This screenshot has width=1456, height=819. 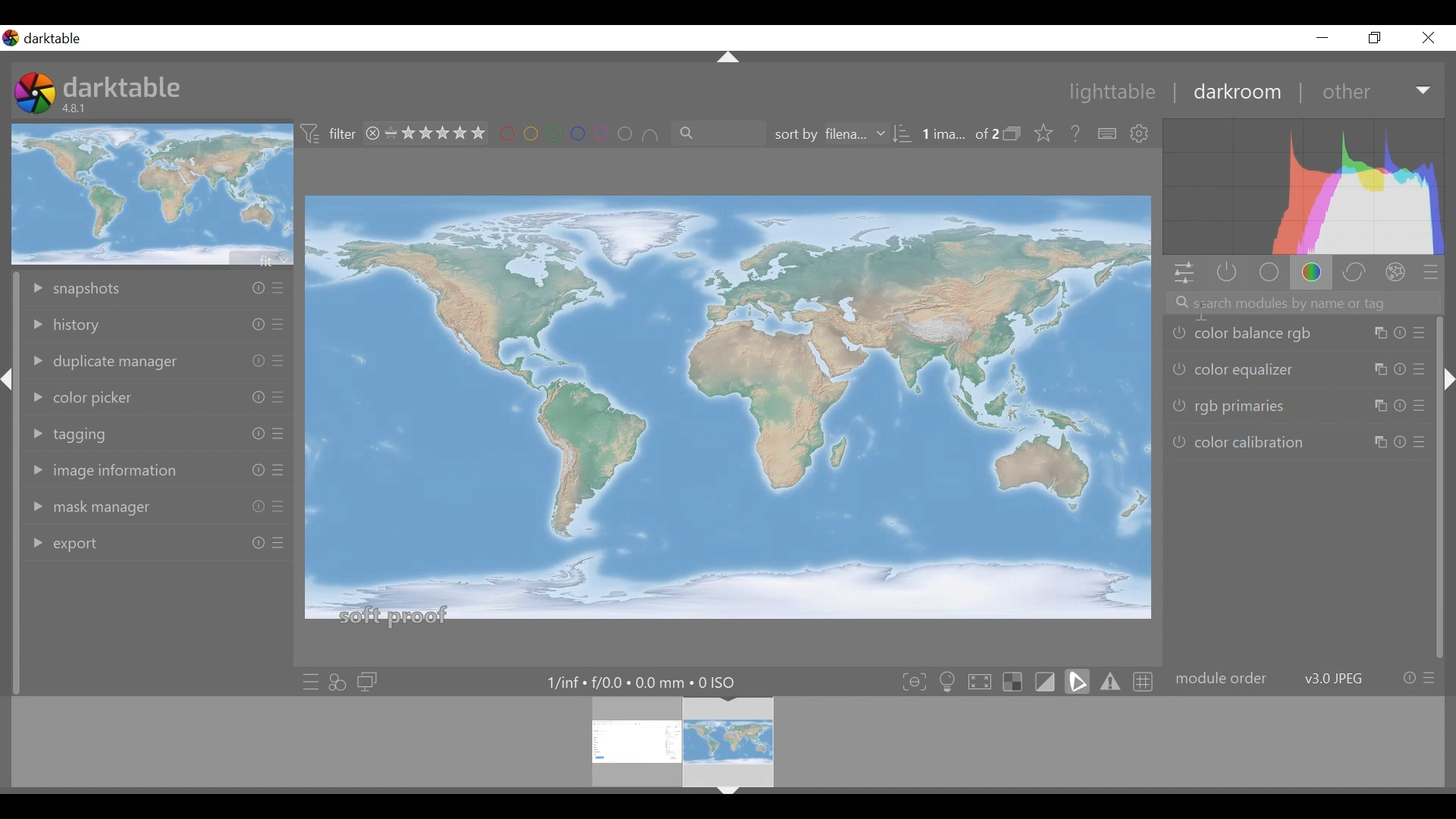 What do you see at coordinates (648, 682) in the screenshot?
I see `Maximum Exposure` at bounding box center [648, 682].